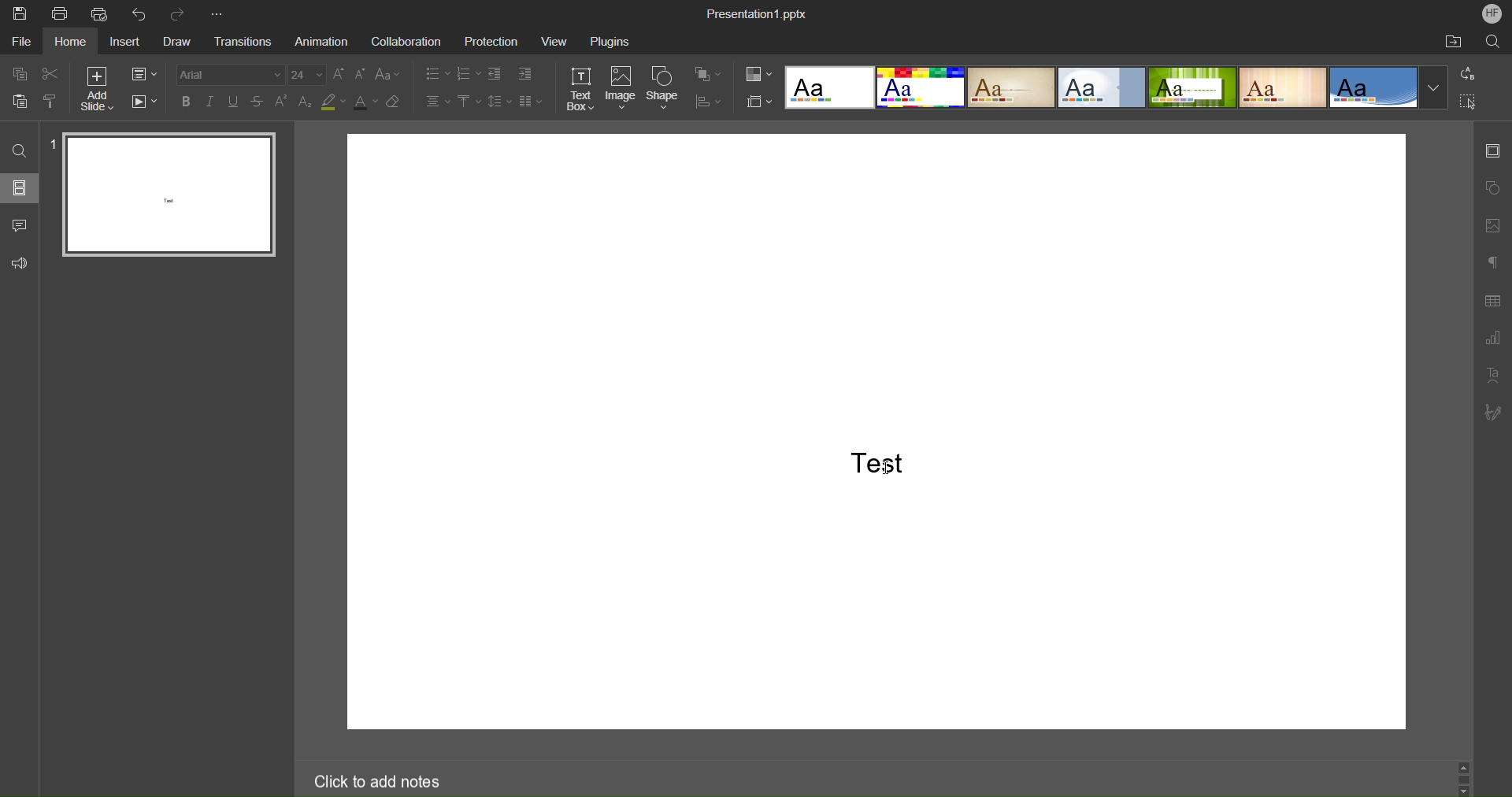 This screenshot has height=797, width=1512. I want to click on Text Color, so click(366, 102).